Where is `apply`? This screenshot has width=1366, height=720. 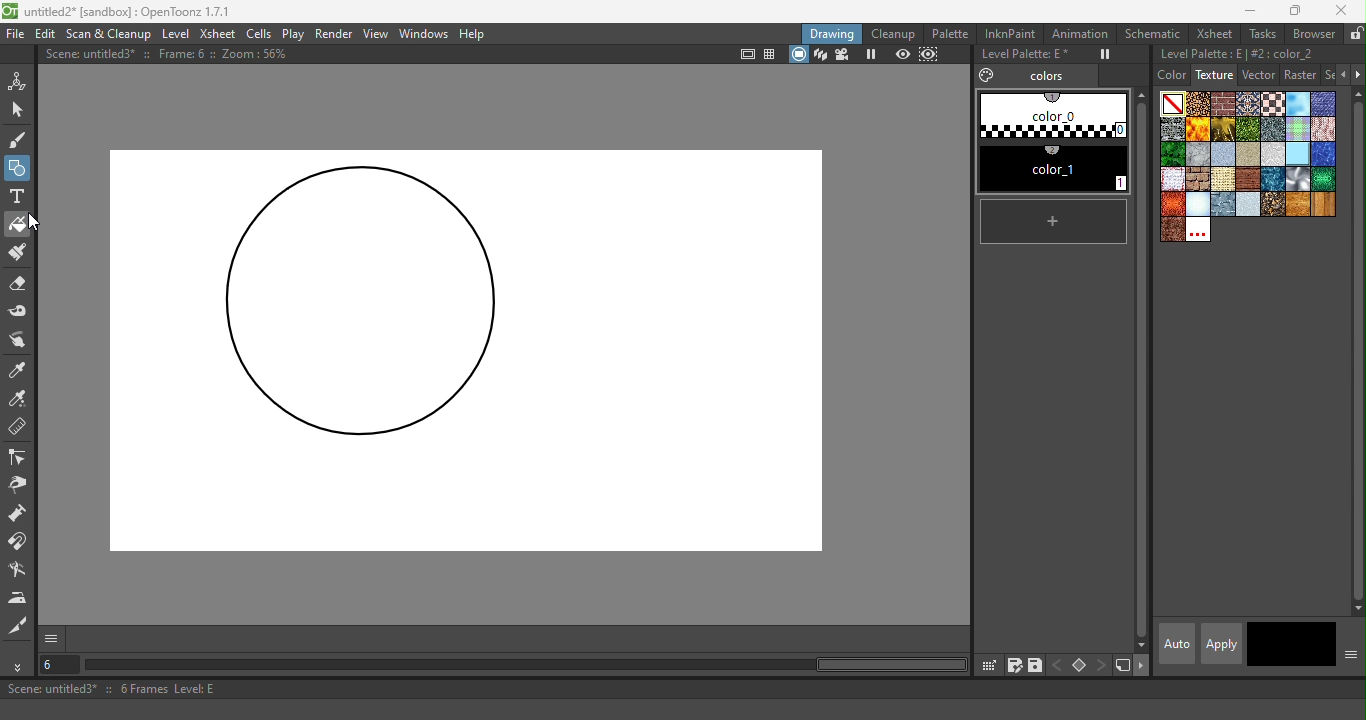 apply is located at coordinates (1221, 644).